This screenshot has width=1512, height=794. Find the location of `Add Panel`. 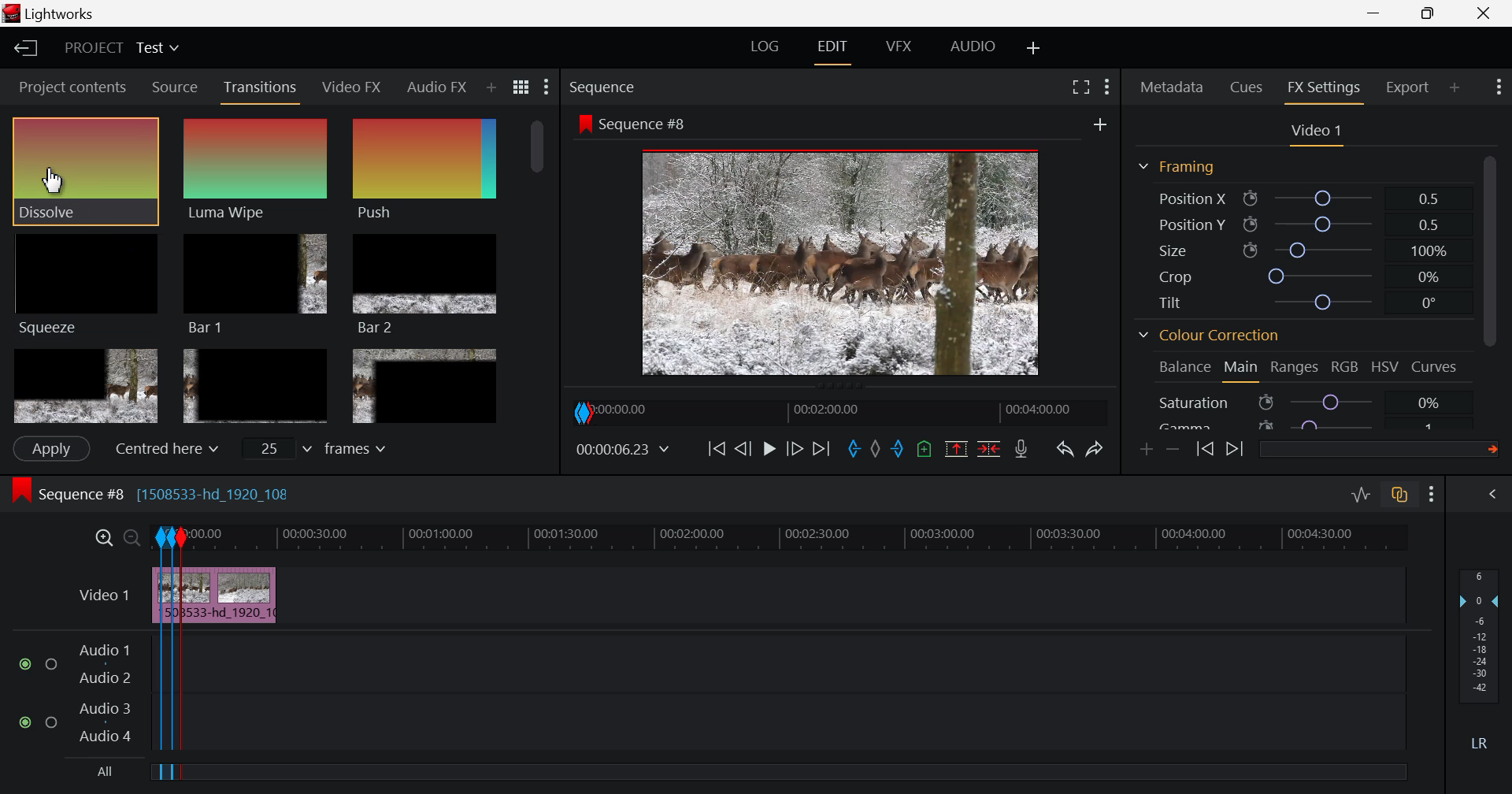

Add Panel is located at coordinates (490, 89).